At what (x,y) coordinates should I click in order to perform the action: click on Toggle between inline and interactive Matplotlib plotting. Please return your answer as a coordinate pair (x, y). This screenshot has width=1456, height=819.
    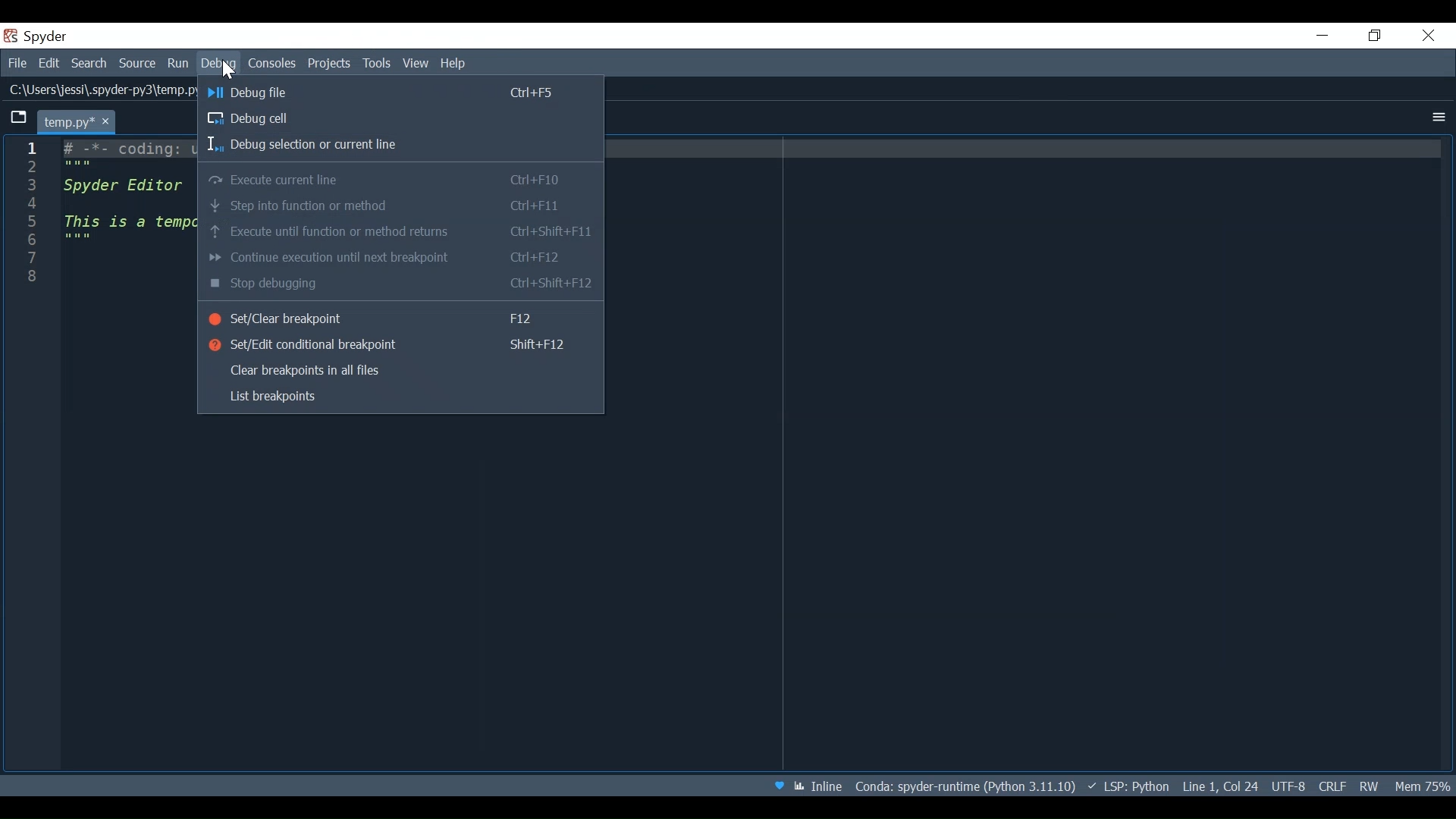
    Looking at the image, I should click on (821, 783).